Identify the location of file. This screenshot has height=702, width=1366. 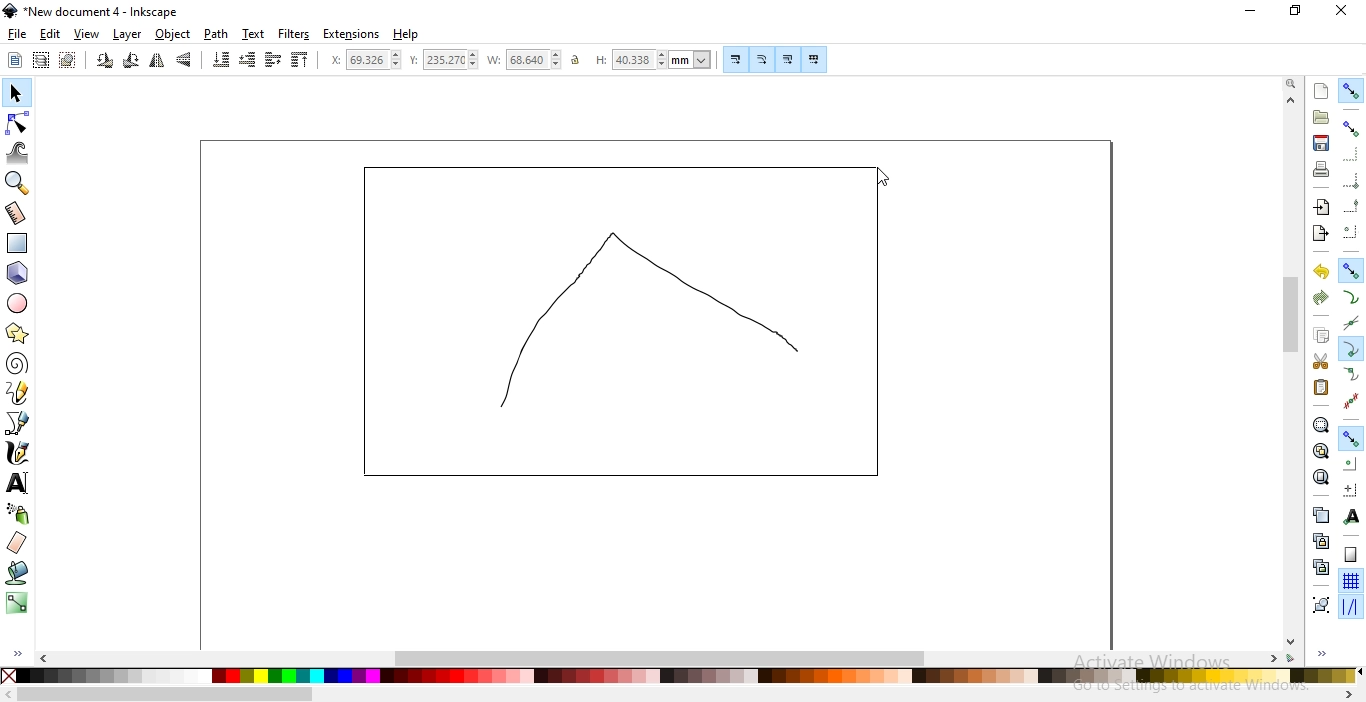
(17, 34).